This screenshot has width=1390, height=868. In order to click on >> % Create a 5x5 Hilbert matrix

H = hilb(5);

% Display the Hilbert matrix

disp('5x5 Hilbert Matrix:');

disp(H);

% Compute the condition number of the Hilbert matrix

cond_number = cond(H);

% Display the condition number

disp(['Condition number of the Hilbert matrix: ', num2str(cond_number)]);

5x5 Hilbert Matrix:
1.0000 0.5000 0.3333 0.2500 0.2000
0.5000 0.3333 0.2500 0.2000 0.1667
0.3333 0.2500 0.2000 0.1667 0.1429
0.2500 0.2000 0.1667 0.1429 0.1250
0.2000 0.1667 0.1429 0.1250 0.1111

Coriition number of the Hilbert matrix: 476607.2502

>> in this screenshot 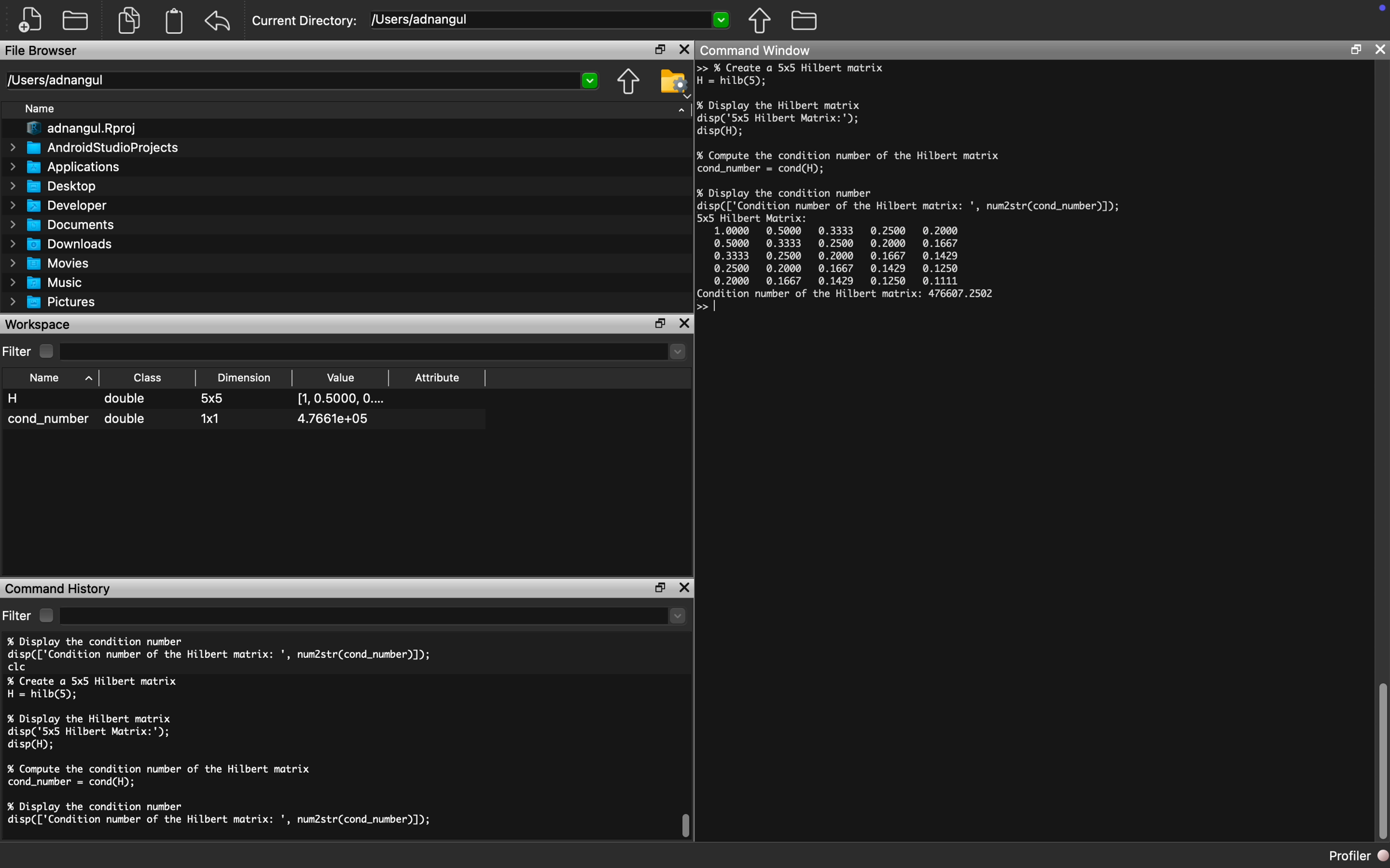, I will do `click(920, 191)`.